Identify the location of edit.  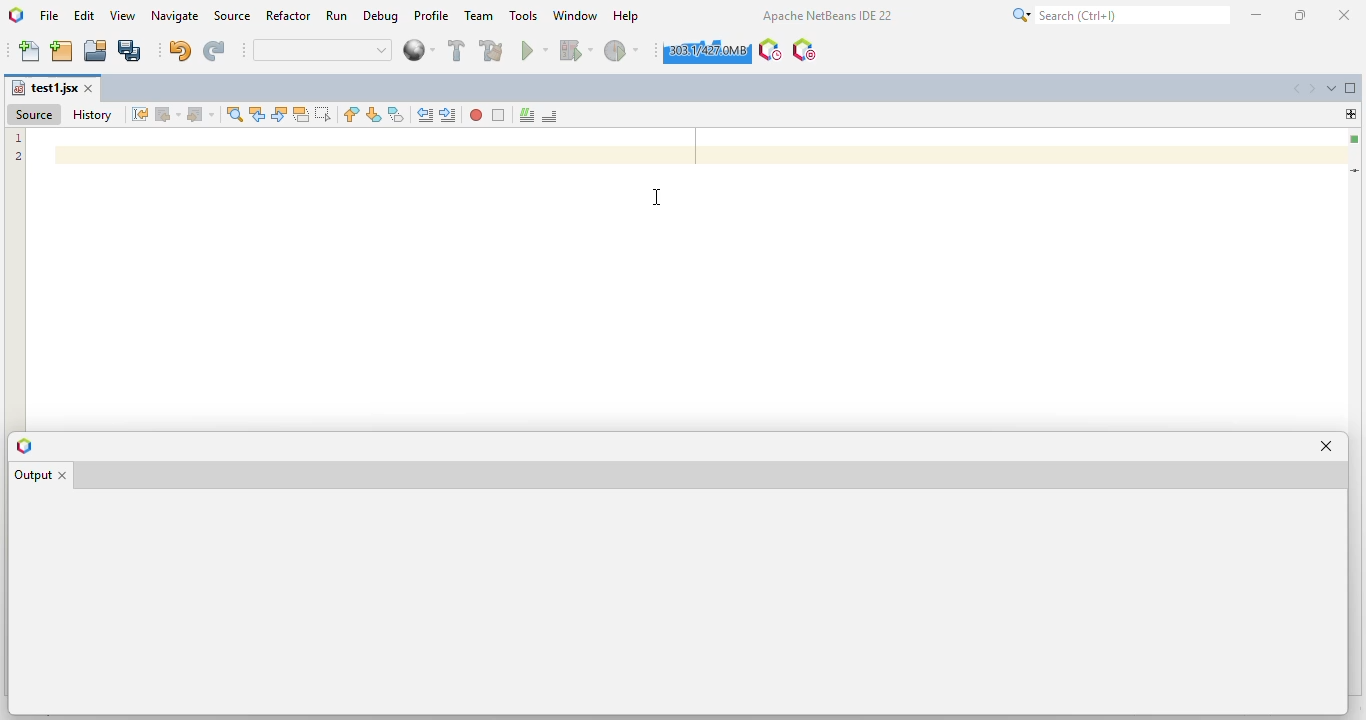
(85, 15).